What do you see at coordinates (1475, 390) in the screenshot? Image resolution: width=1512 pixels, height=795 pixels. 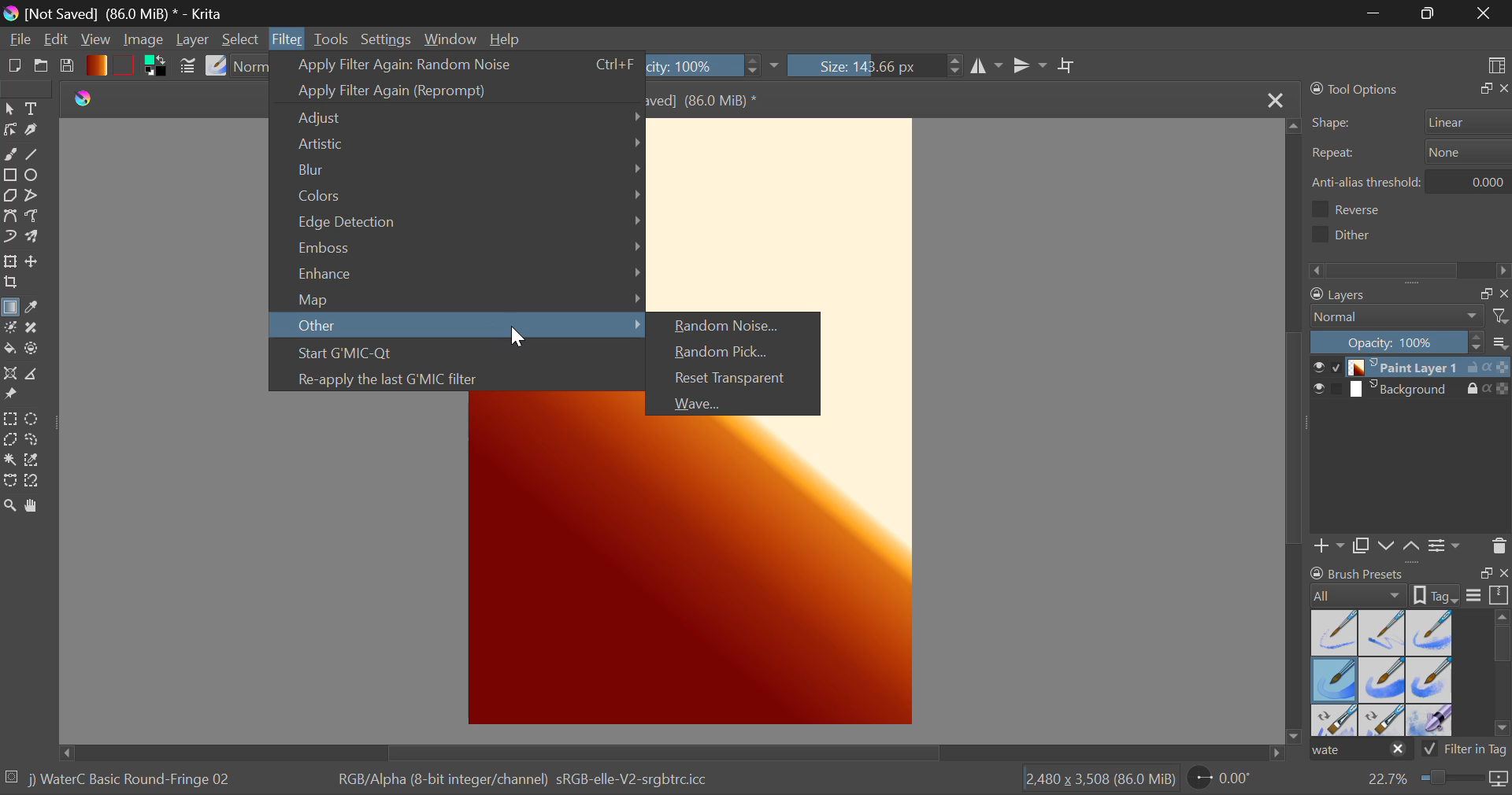 I see `lock` at bounding box center [1475, 390].